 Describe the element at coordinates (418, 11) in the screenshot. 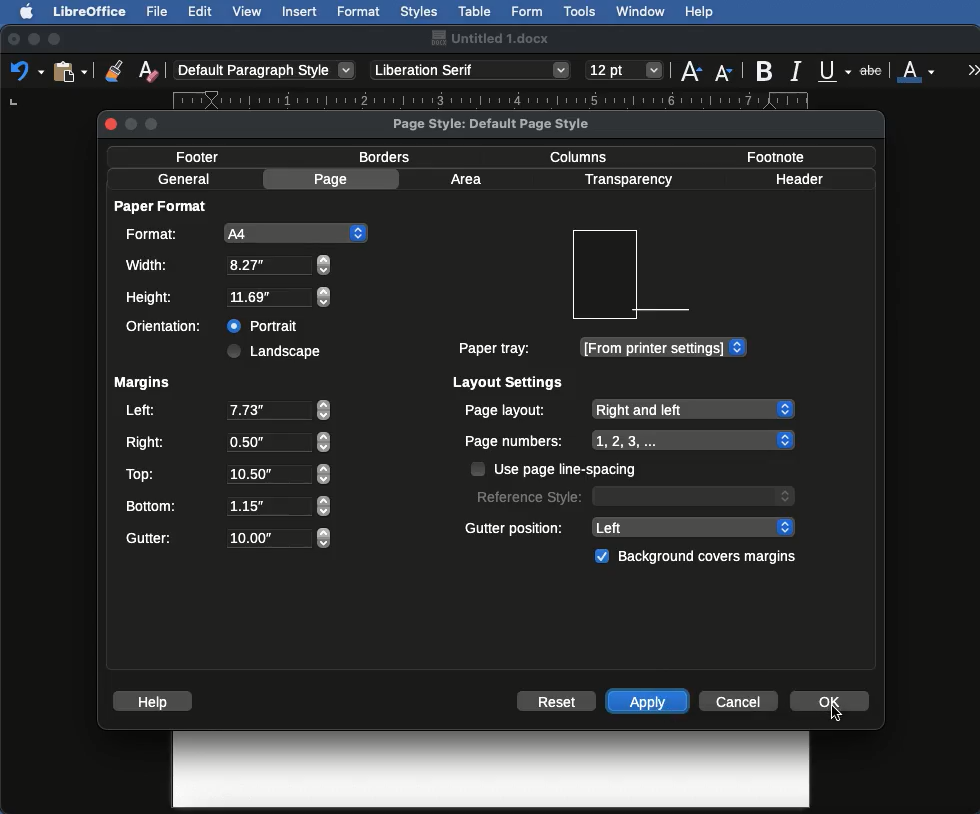

I see `Styles` at that location.